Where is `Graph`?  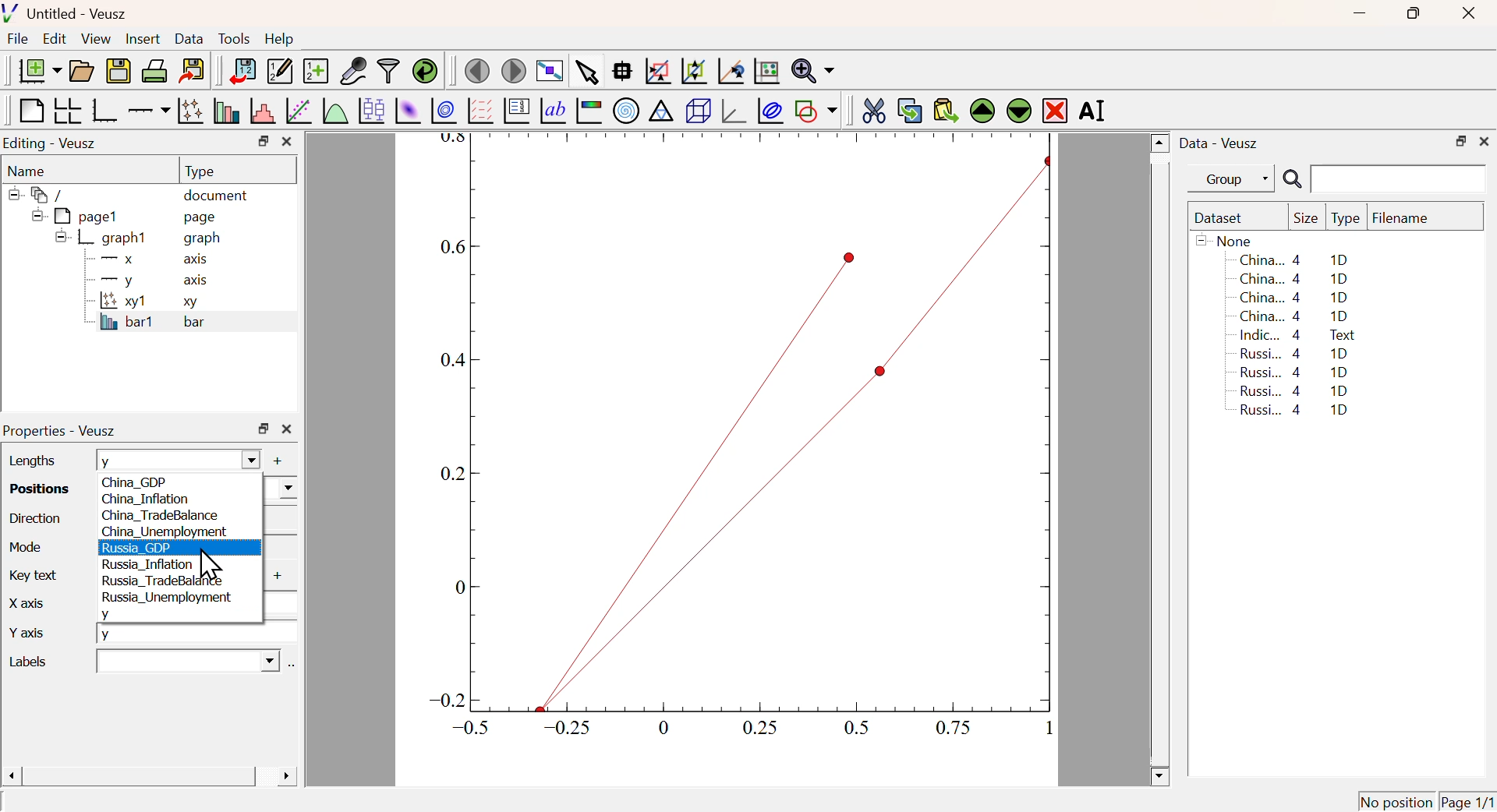 Graph is located at coordinates (737, 441).